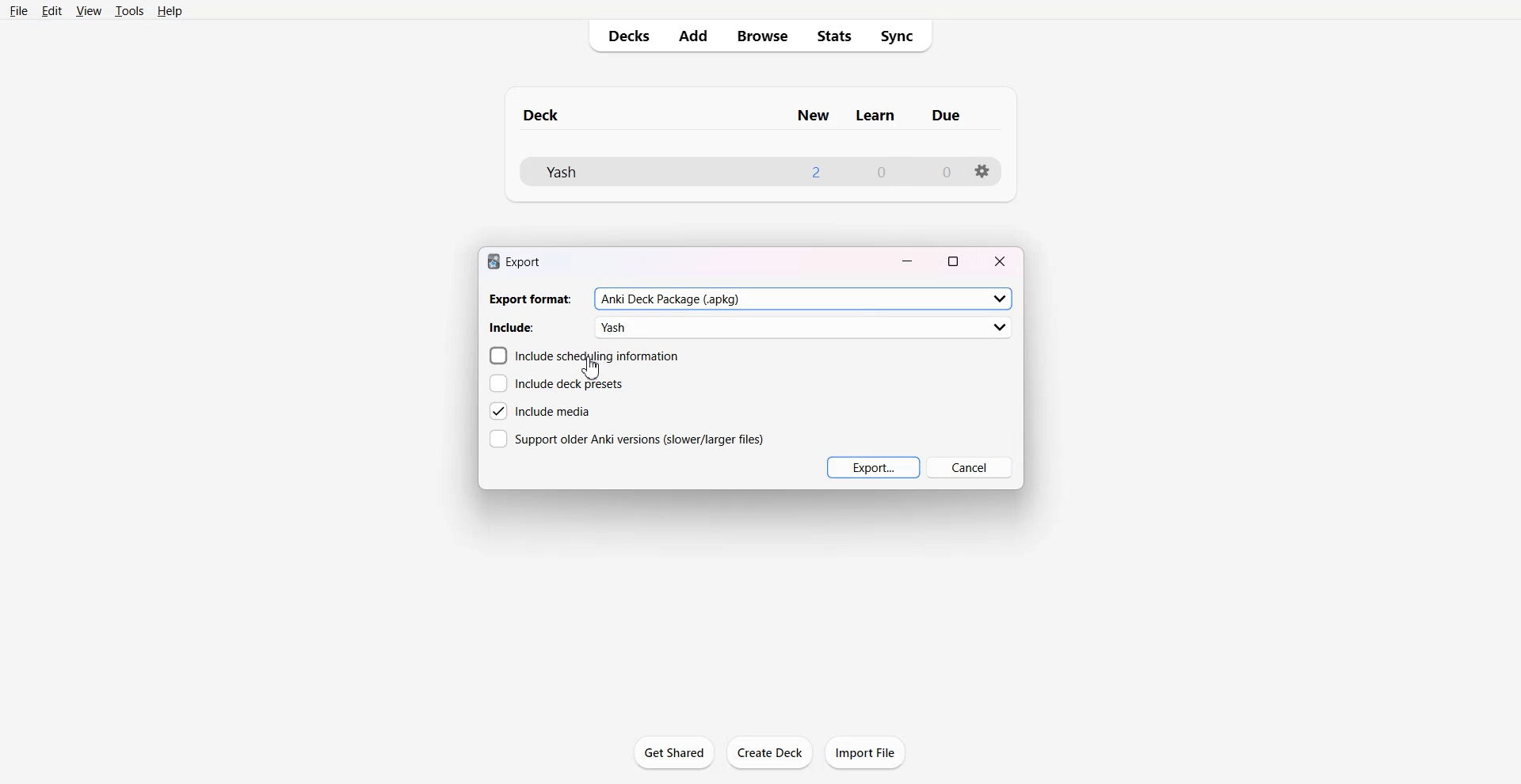  I want to click on Include deck presets, so click(556, 384).